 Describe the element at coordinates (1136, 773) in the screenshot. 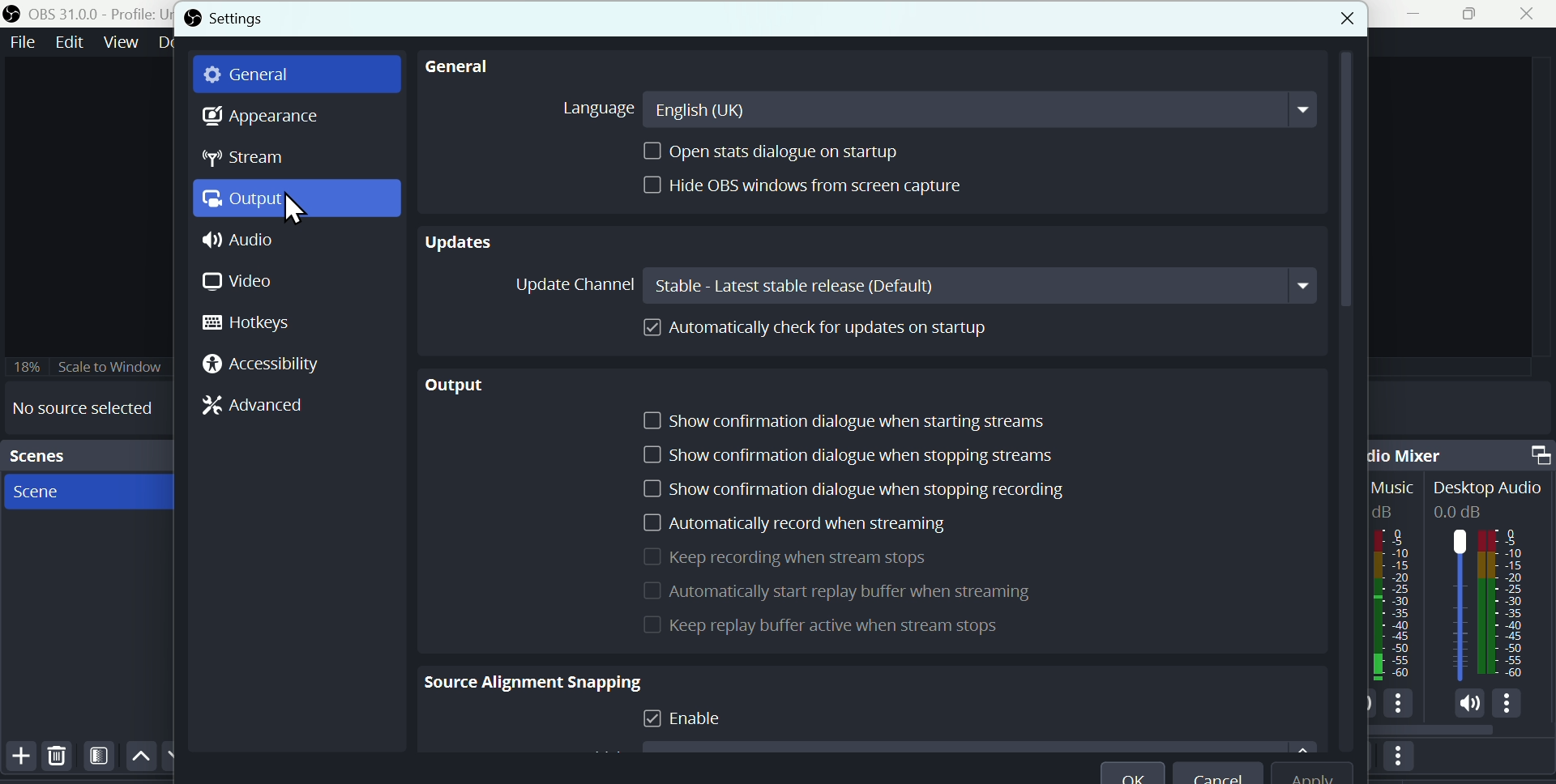

I see `O K` at that location.